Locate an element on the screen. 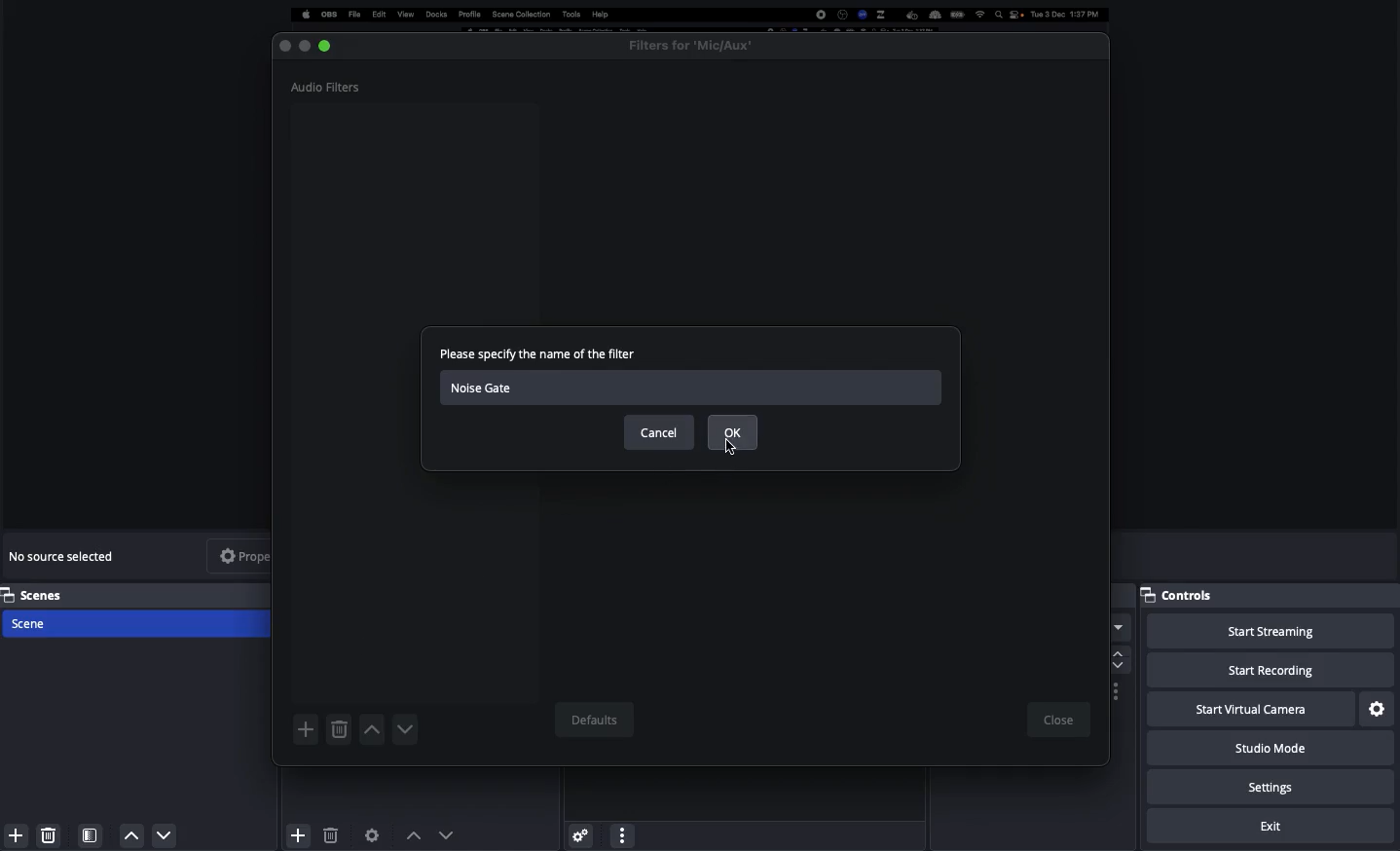  Add is located at coordinates (306, 729).